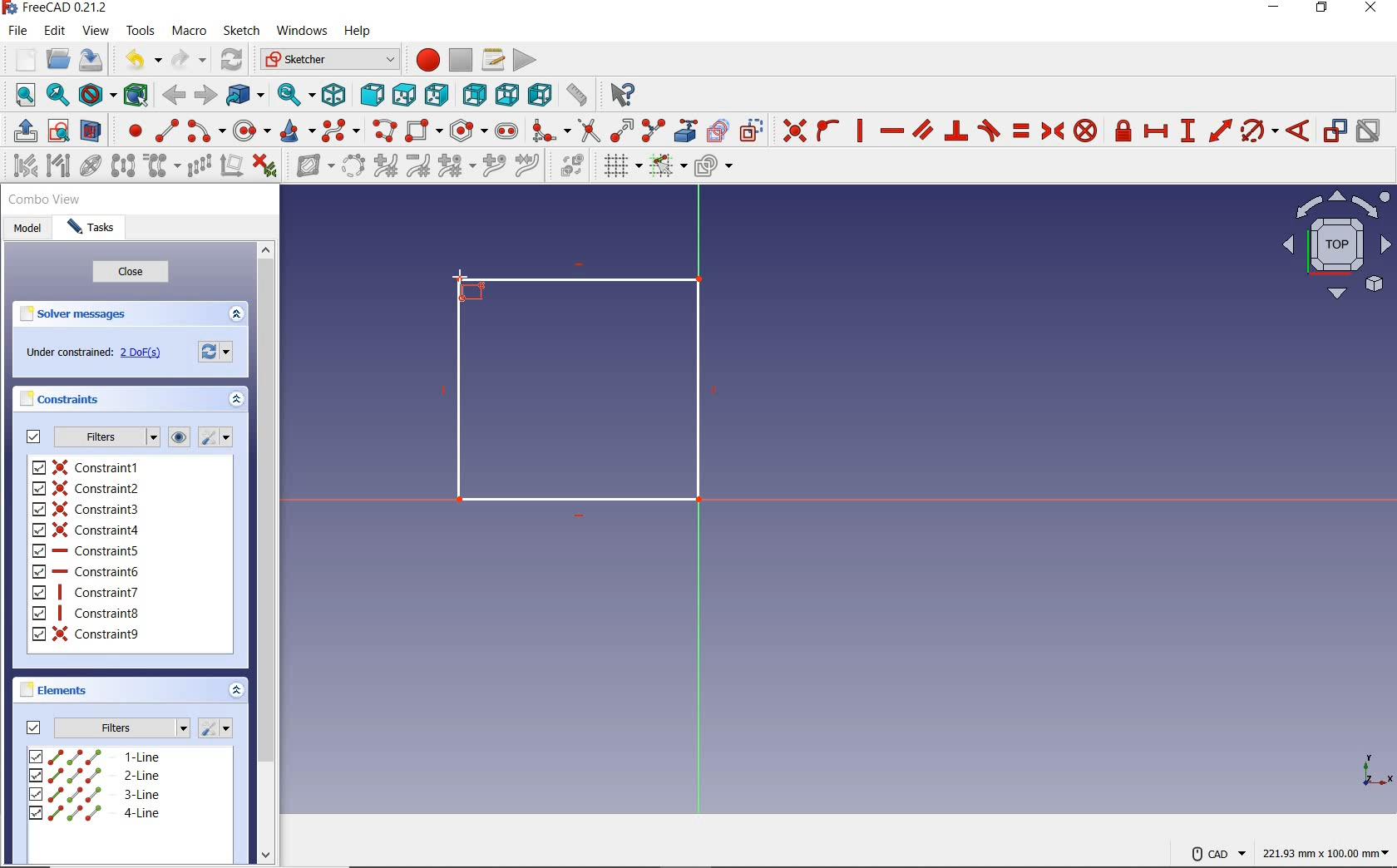 The width and height of the screenshot is (1397, 868). I want to click on what's this?, so click(623, 96).